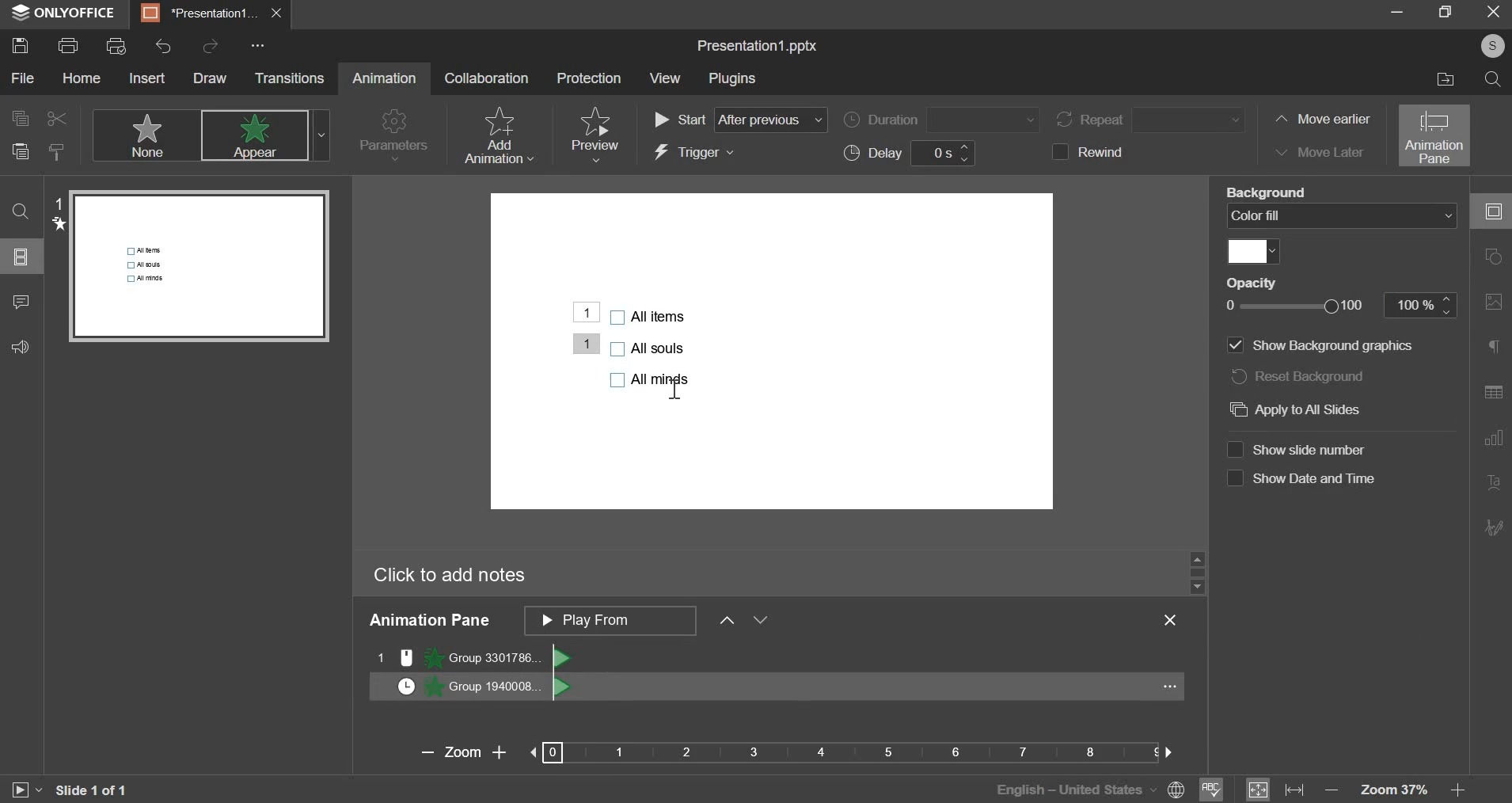 The width and height of the screenshot is (1512, 803). What do you see at coordinates (1309, 377) in the screenshot?
I see `reset background` at bounding box center [1309, 377].